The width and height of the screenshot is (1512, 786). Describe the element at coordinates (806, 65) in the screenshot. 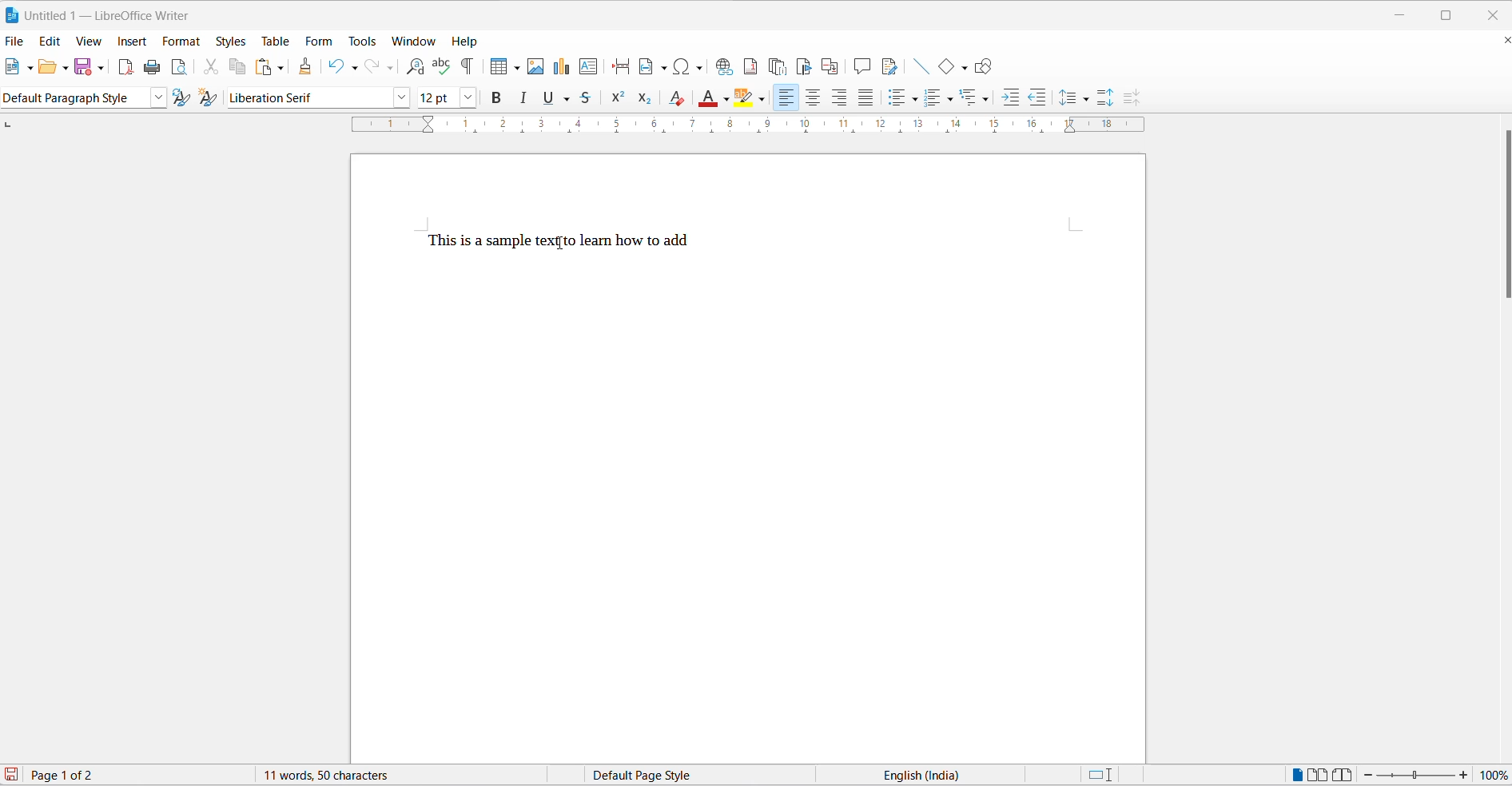

I see `insert bookmark` at that location.